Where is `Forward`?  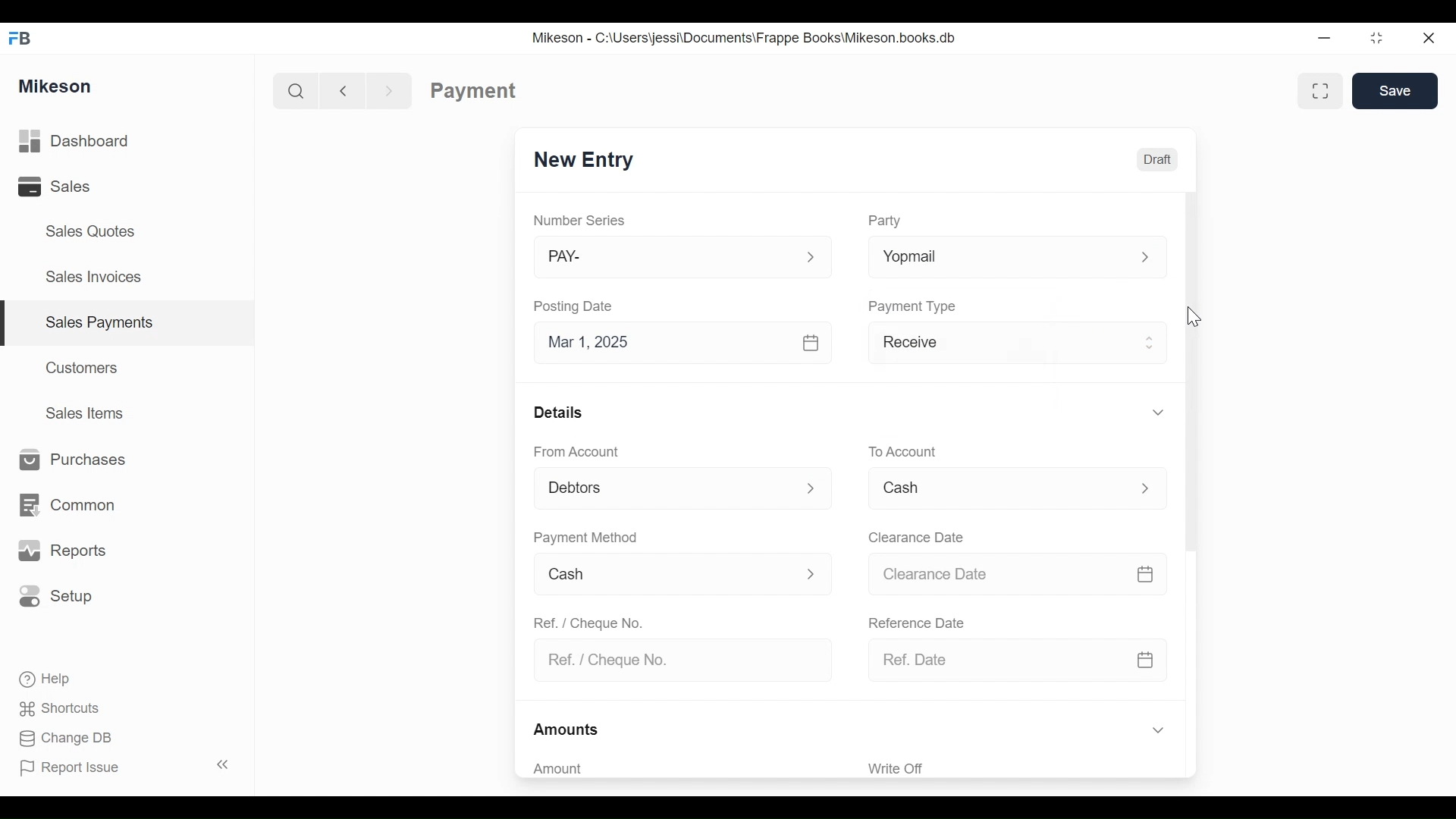
Forward is located at coordinates (394, 89).